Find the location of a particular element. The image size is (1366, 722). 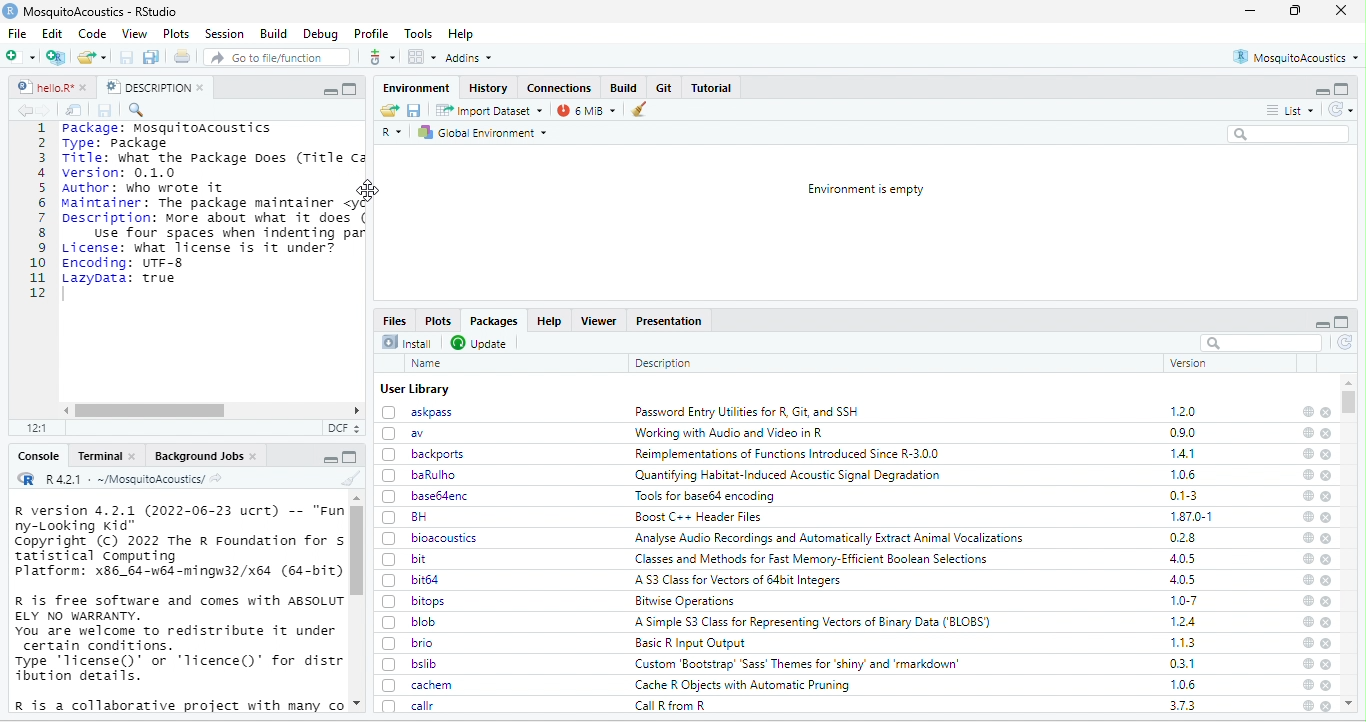

help is located at coordinates (1307, 684).